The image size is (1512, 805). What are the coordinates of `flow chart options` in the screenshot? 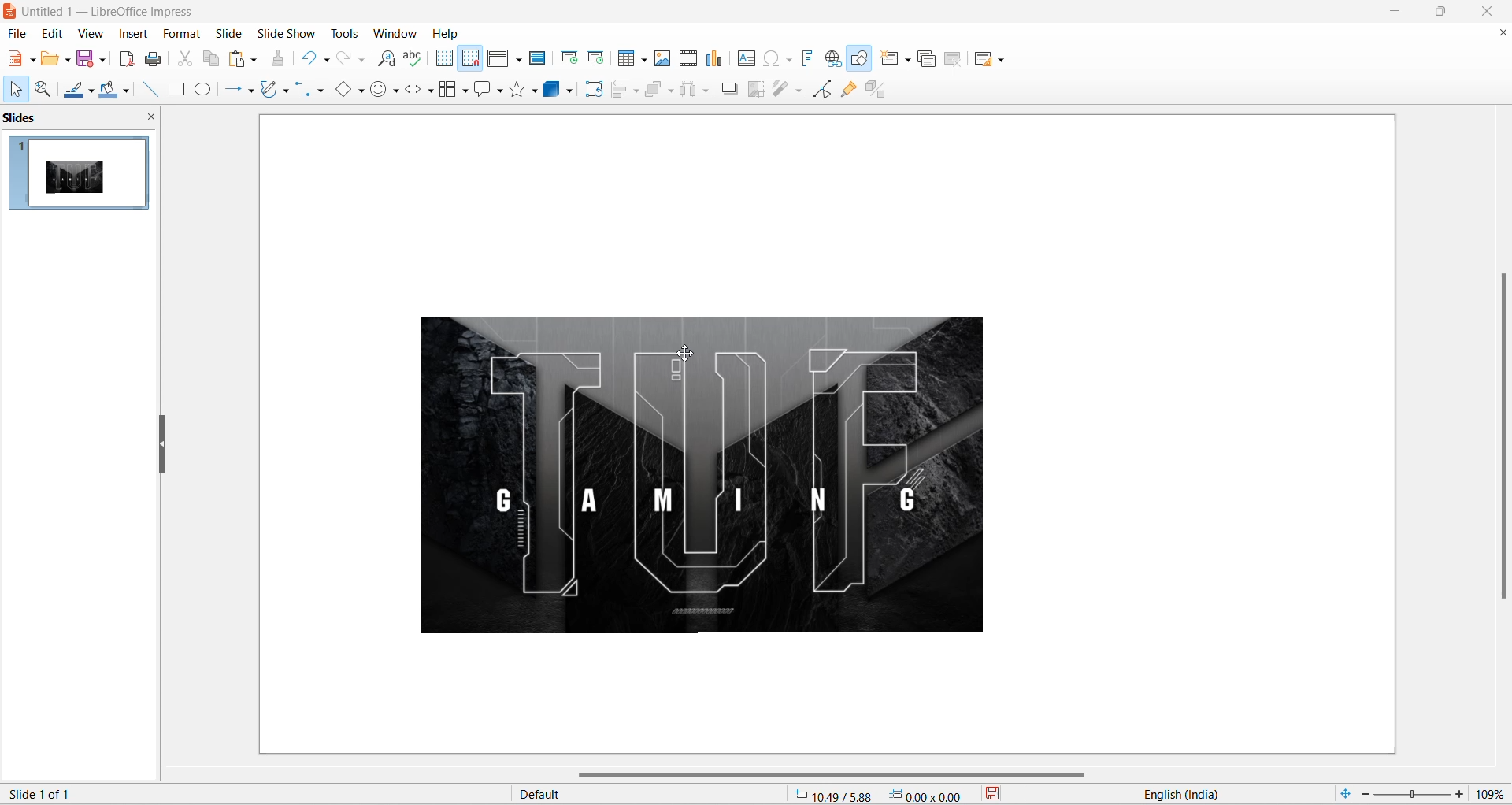 It's located at (465, 92).